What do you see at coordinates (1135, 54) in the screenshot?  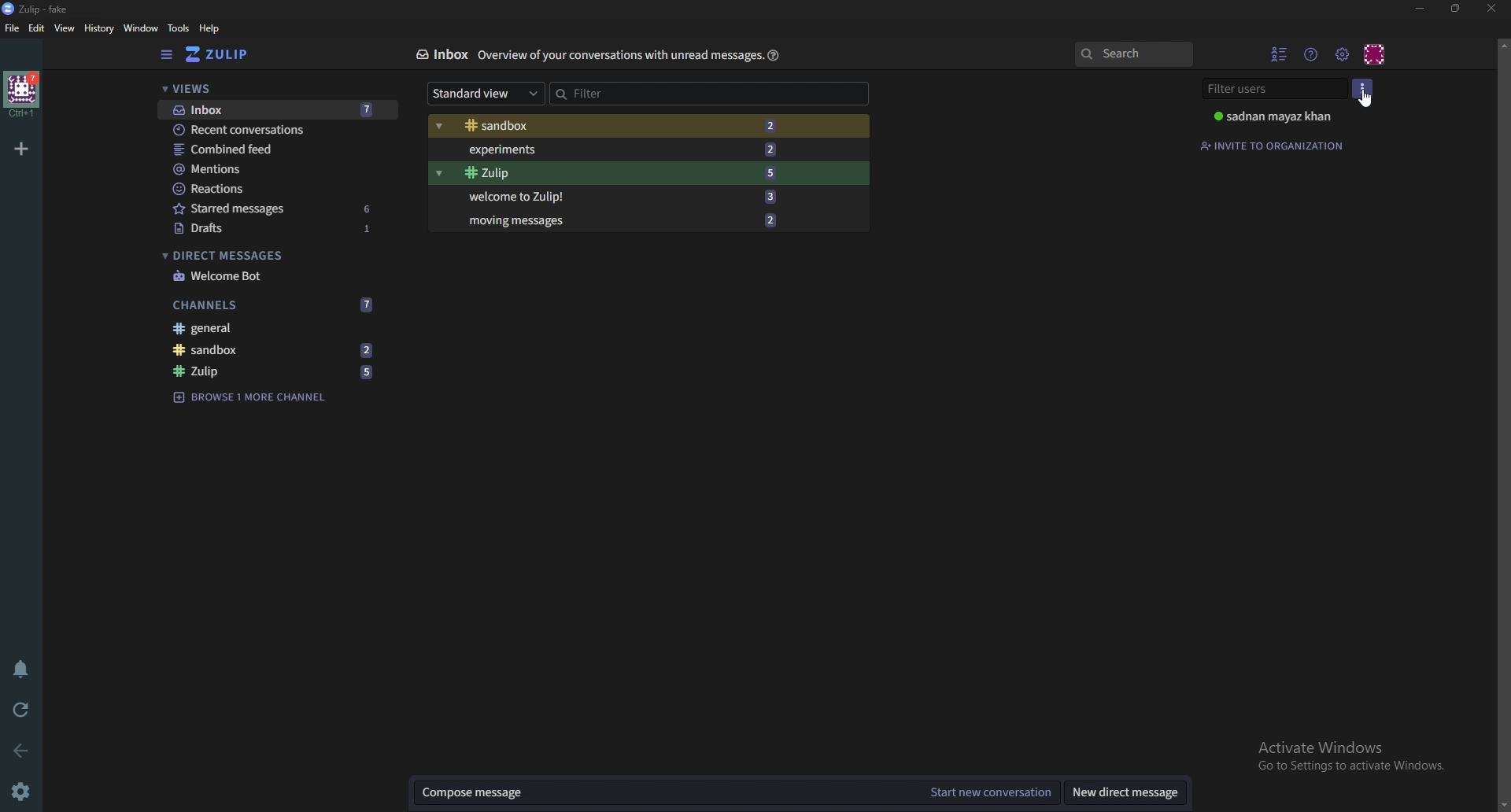 I see `search` at bounding box center [1135, 54].